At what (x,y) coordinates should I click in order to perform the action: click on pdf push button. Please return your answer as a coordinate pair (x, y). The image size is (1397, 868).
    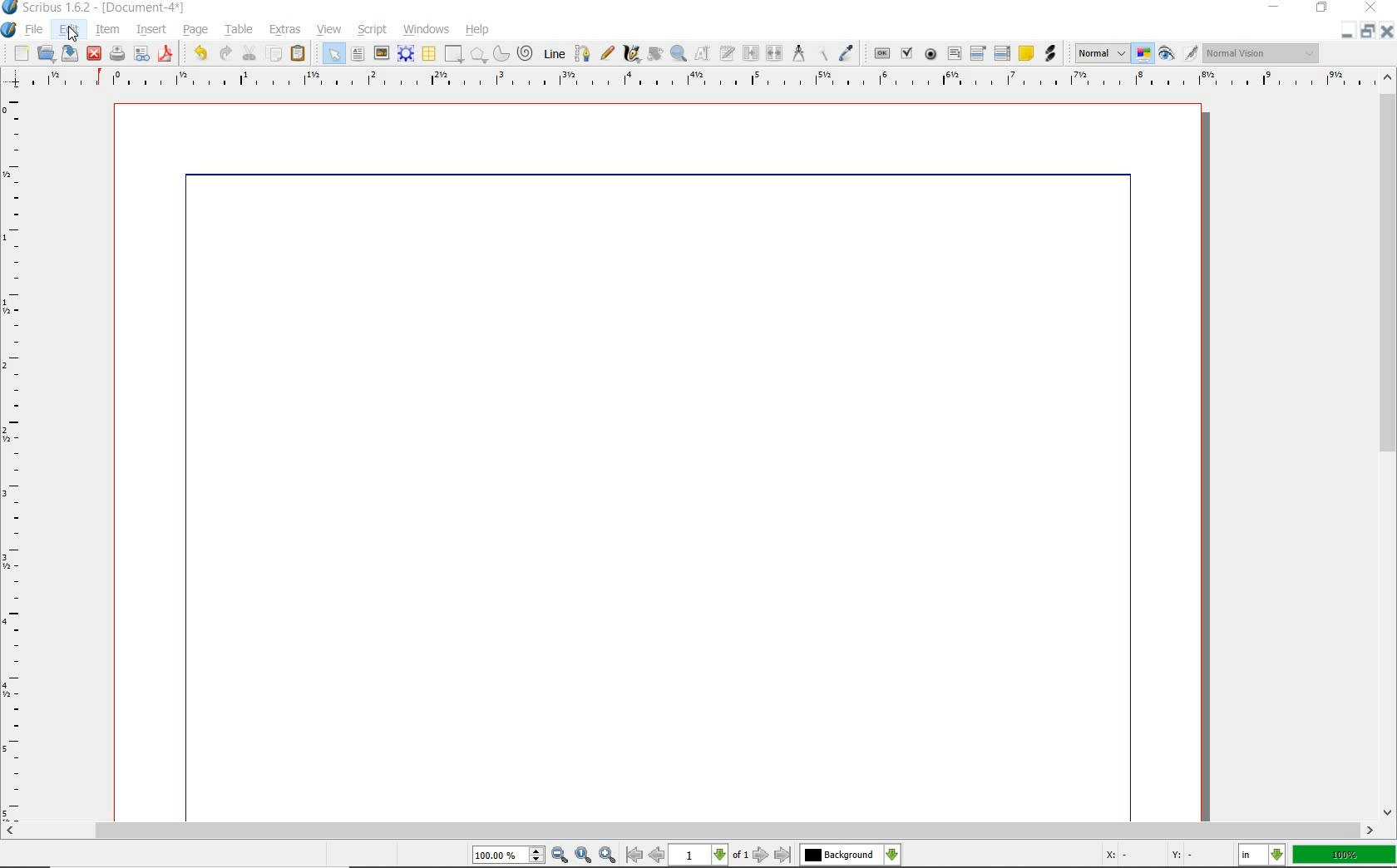
    Looking at the image, I should click on (879, 52).